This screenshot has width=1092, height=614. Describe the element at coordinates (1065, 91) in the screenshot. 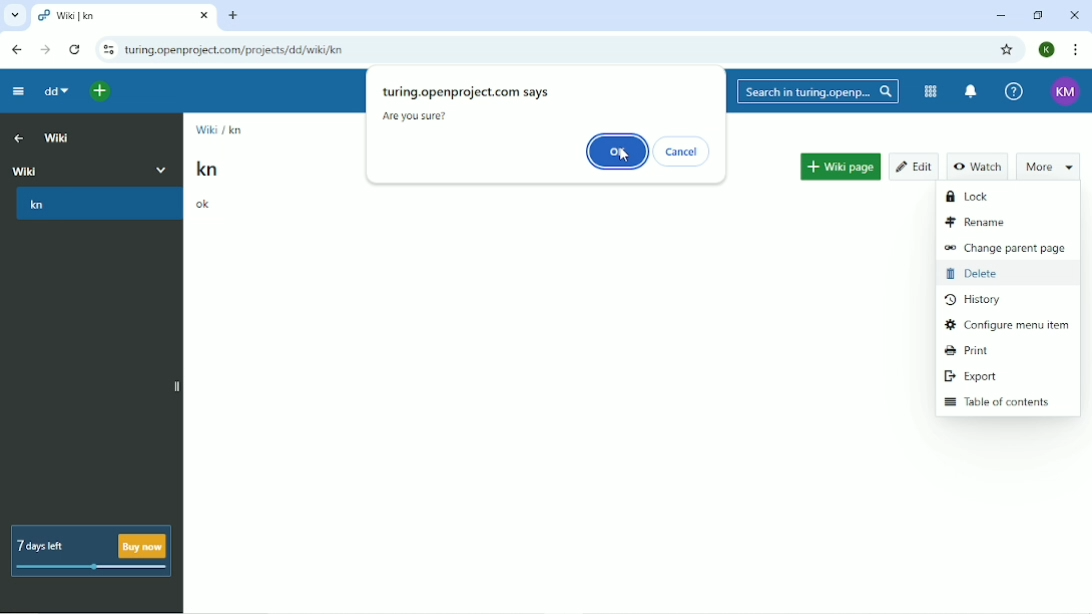

I see `Account` at that location.